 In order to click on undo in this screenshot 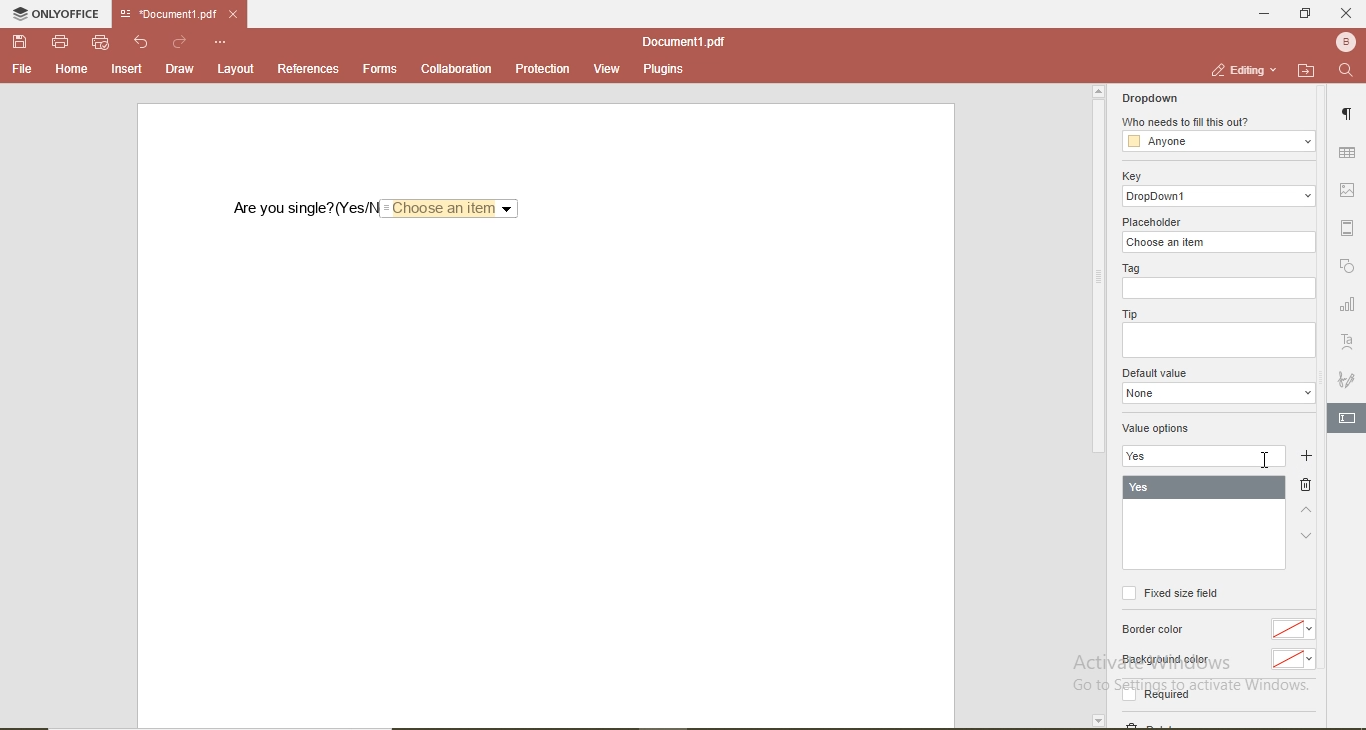, I will do `click(142, 43)`.